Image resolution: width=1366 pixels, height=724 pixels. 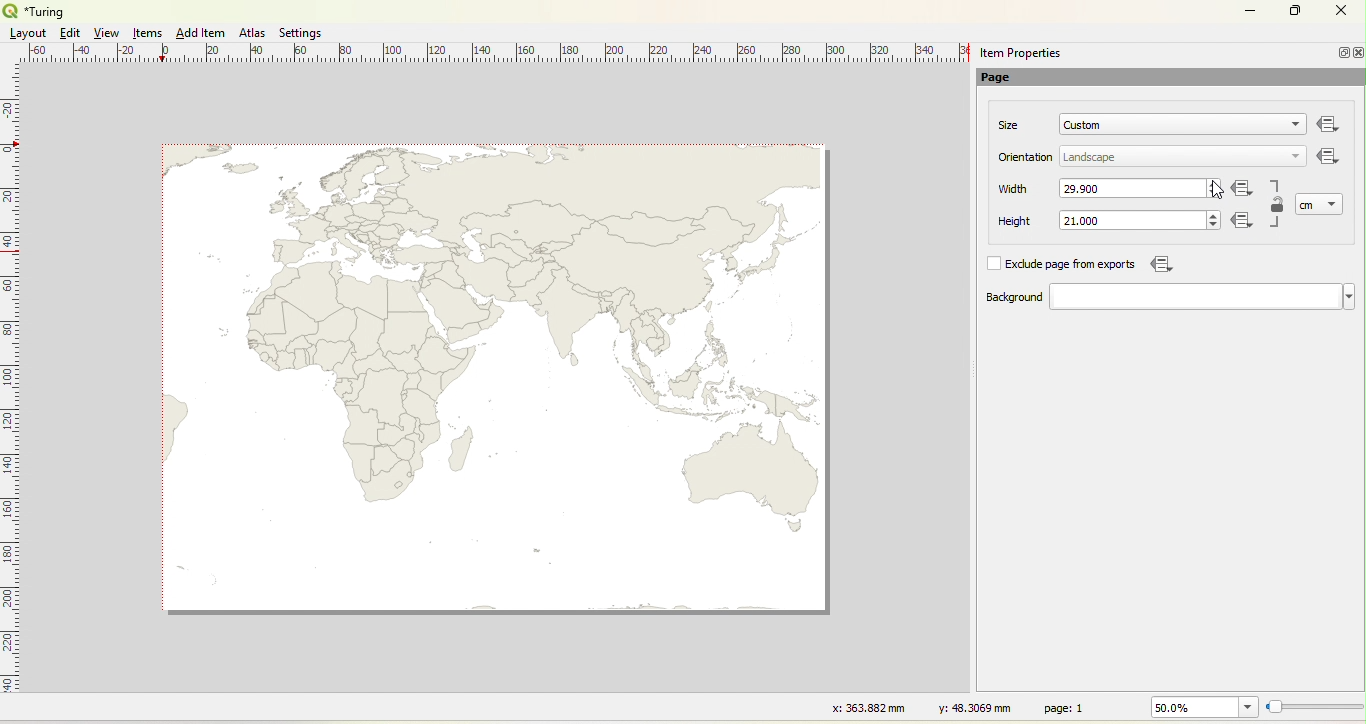 I want to click on 21.000, so click(x=1081, y=221).